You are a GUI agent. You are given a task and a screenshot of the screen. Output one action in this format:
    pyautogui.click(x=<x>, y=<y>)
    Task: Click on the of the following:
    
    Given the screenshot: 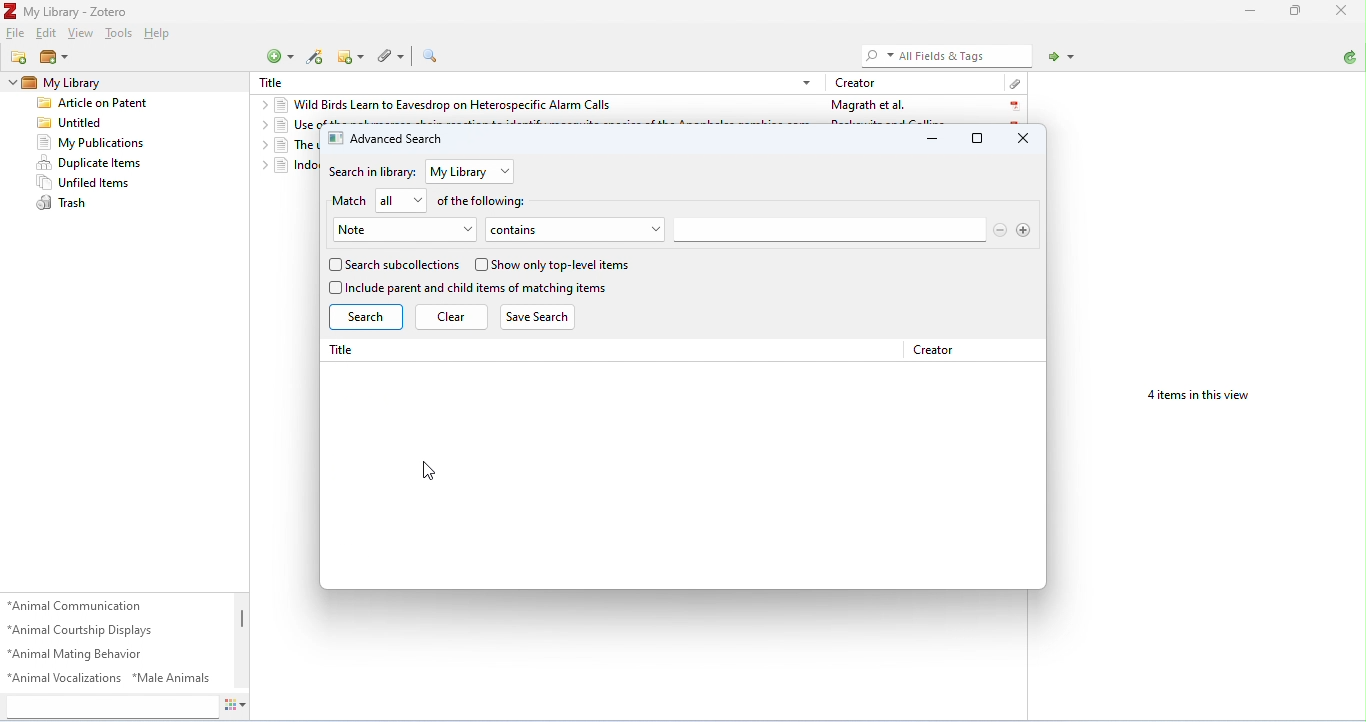 What is the action you would take?
    pyautogui.click(x=486, y=202)
    